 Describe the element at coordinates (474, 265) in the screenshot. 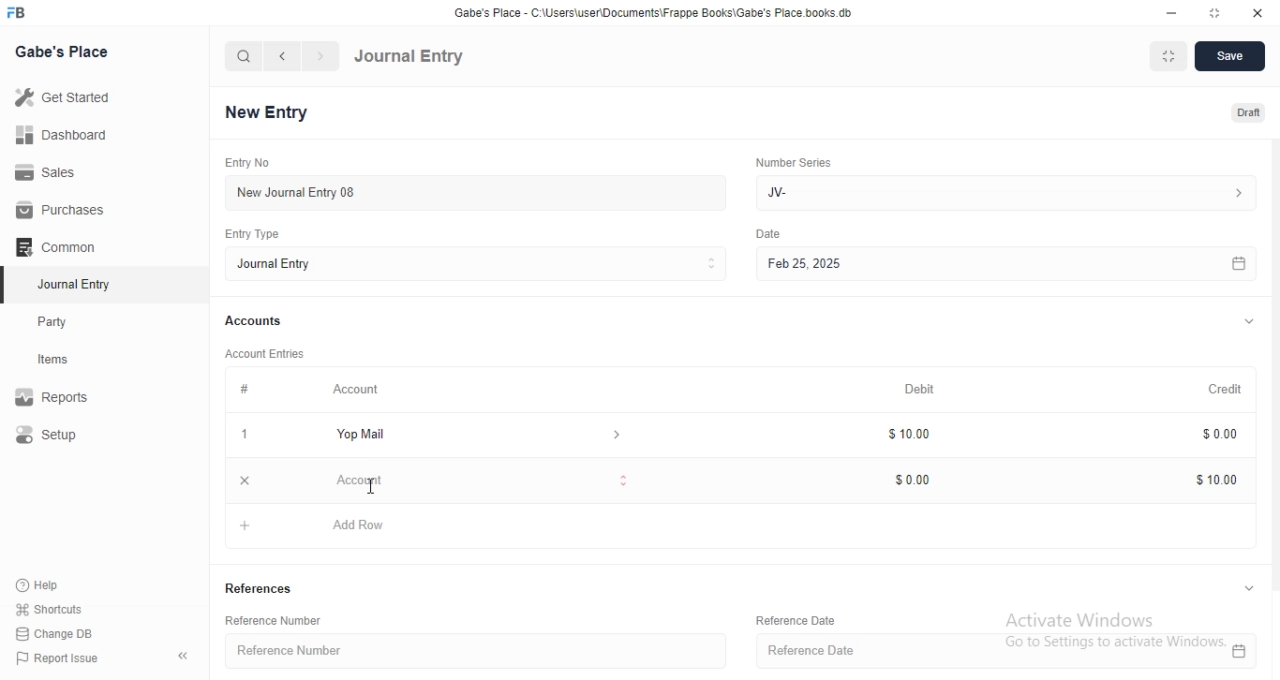

I see `Journal Entry` at that location.